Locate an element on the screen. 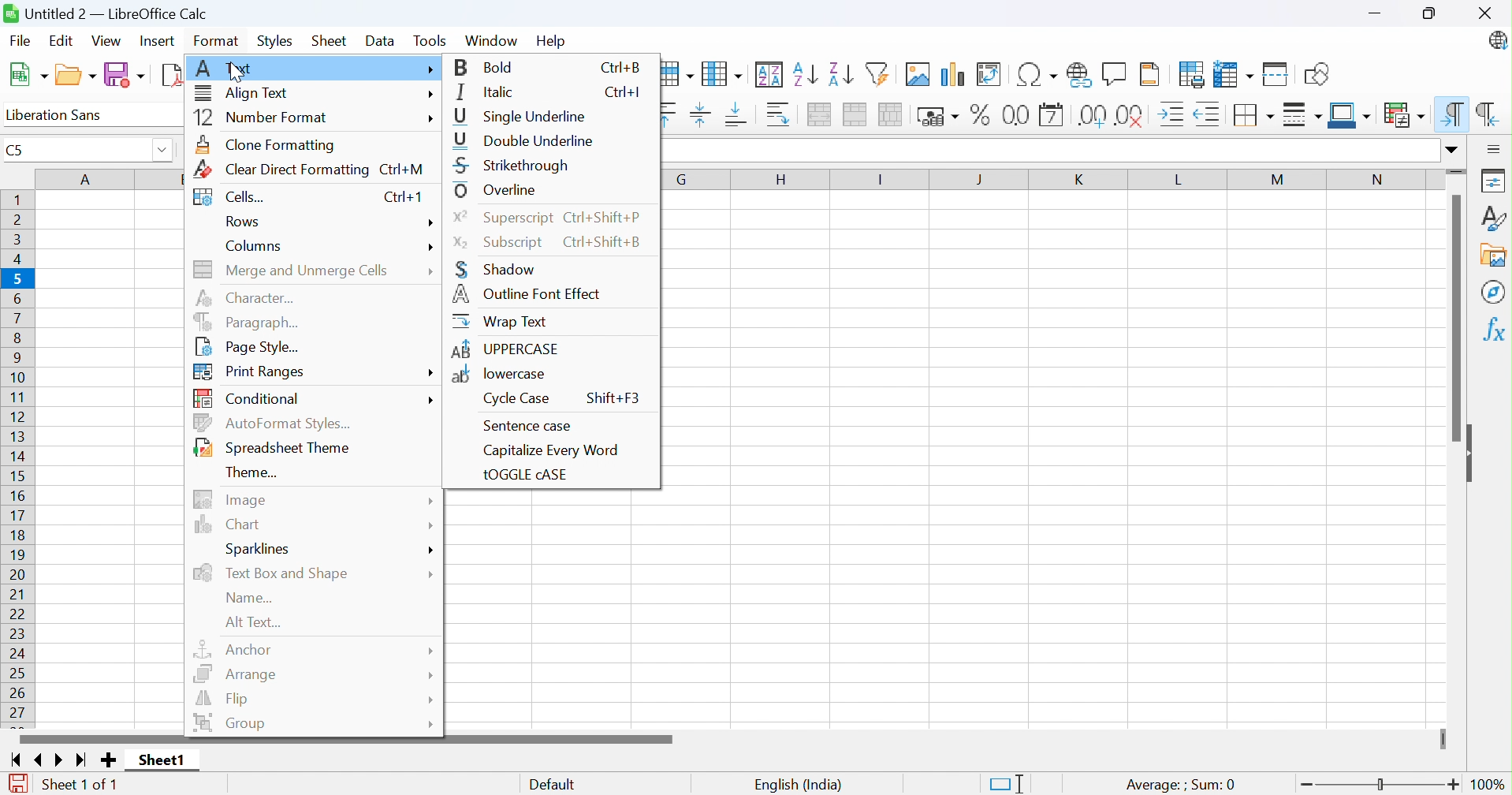 This screenshot has width=1512, height=795. Define print area is located at coordinates (1194, 74).